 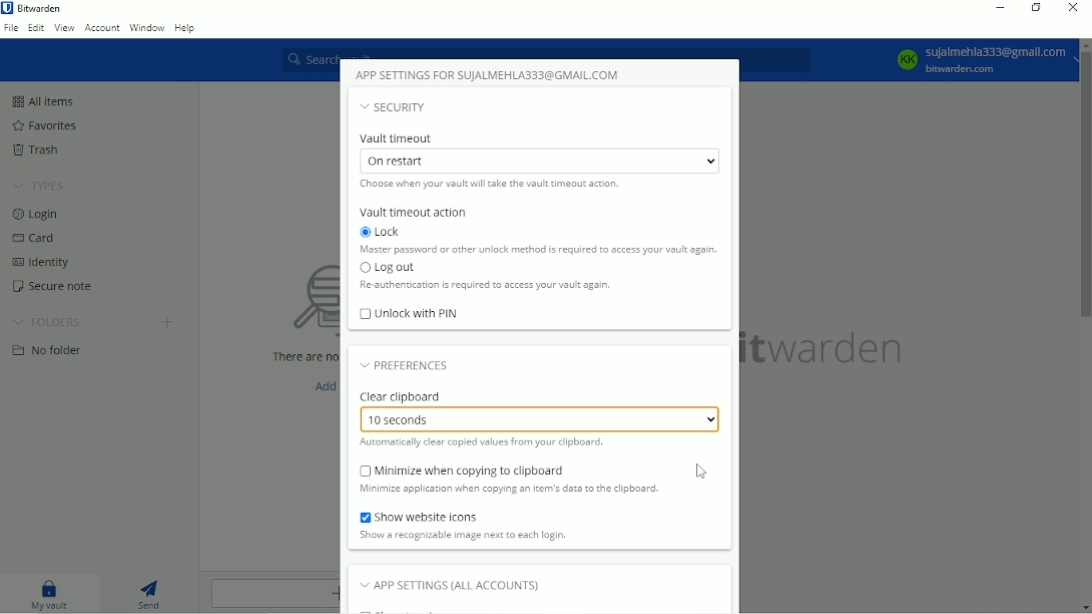 What do you see at coordinates (410, 316) in the screenshot?
I see `Unlock with PIN` at bounding box center [410, 316].